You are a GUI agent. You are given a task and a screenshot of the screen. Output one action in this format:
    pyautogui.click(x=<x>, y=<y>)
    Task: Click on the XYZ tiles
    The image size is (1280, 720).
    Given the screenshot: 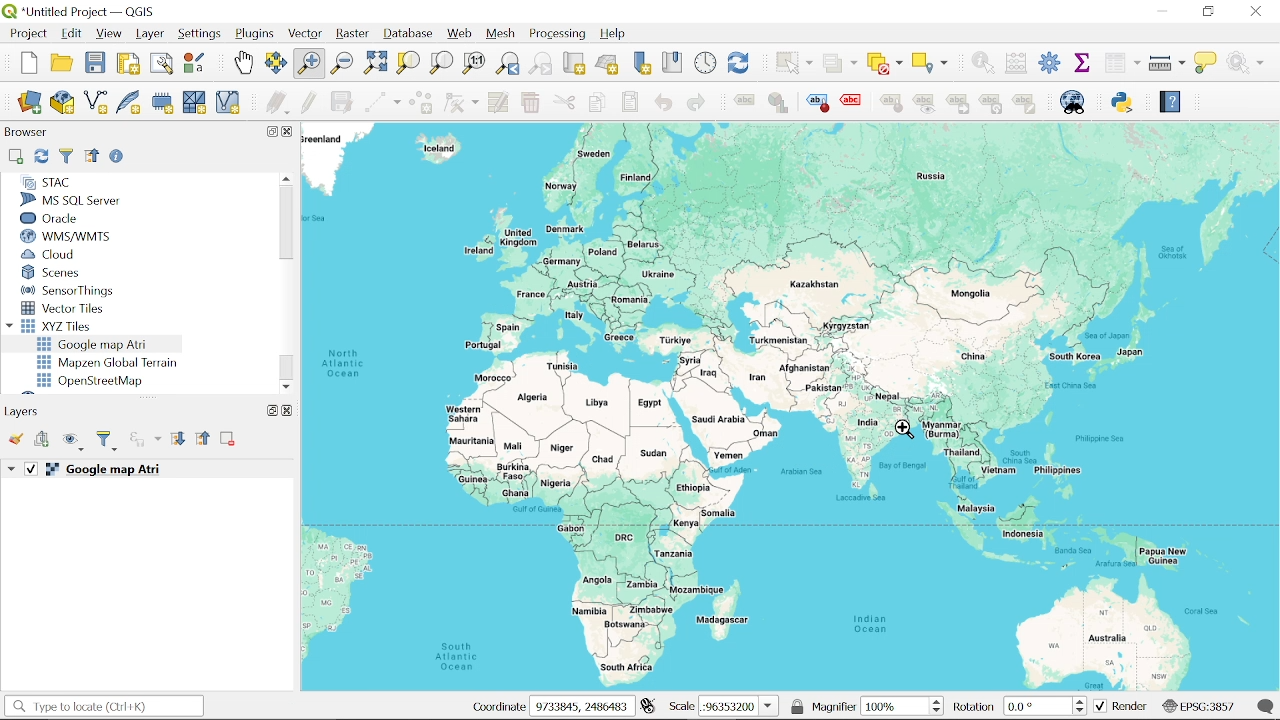 What is the action you would take?
    pyautogui.click(x=62, y=326)
    